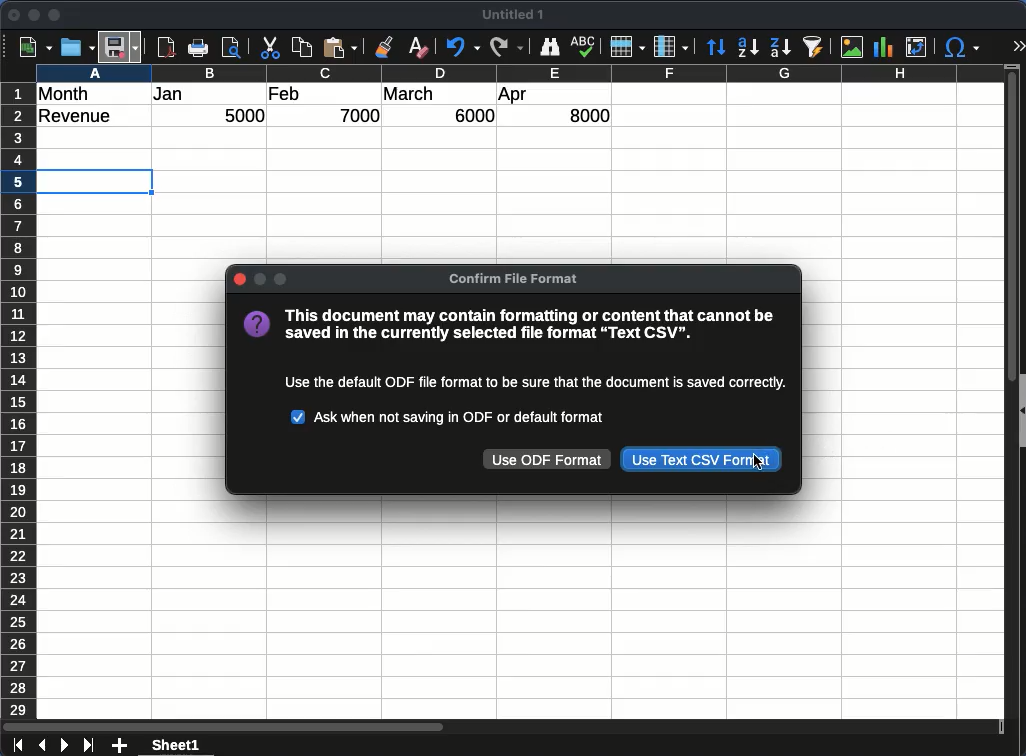 The width and height of the screenshot is (1026, 756). What do you see at coordinates (56, 15) in the screenshot?
I see `maximize` at bounding box center [56, 15].